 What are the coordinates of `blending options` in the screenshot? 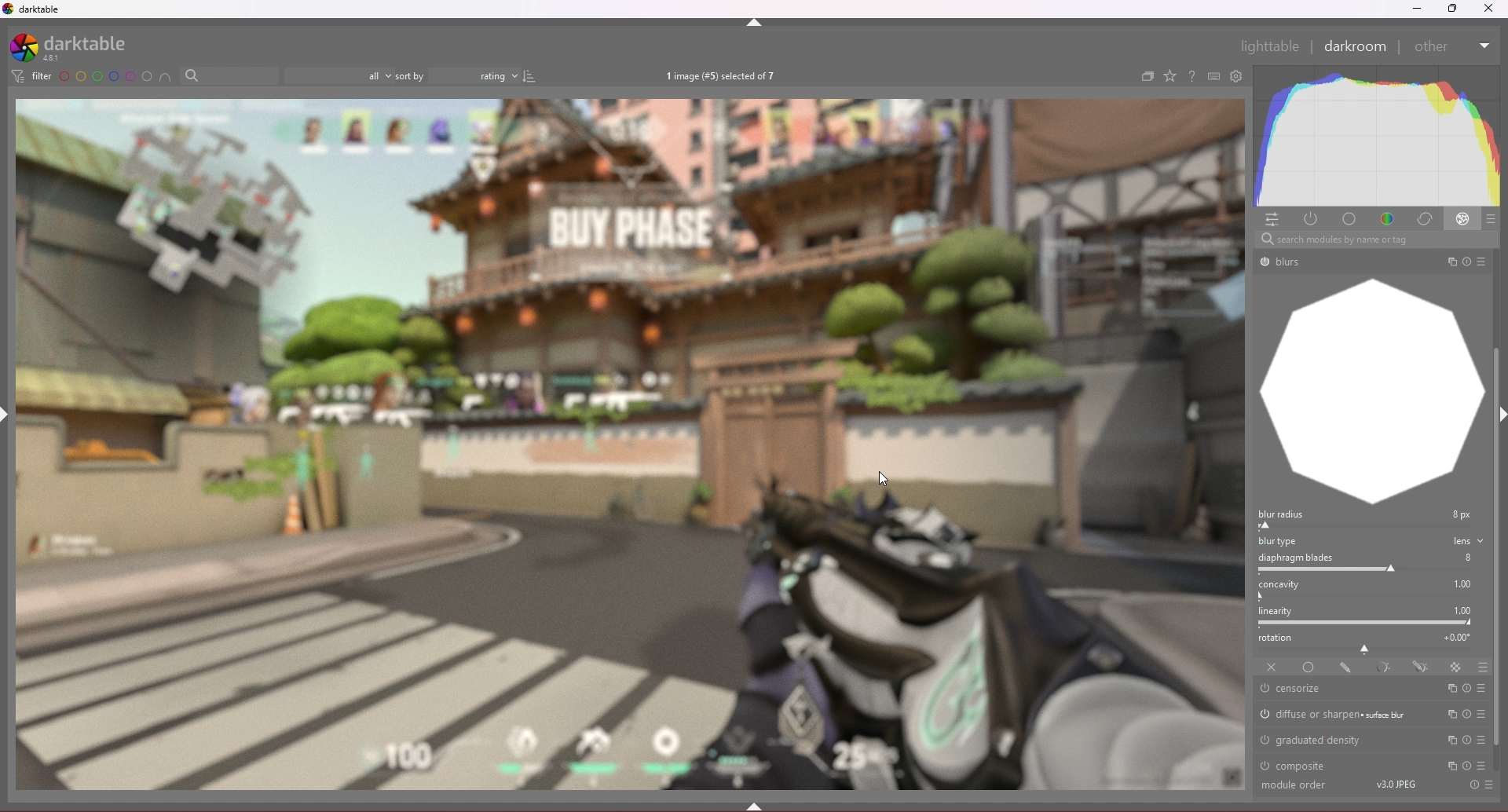 It's located at (1483, 668).